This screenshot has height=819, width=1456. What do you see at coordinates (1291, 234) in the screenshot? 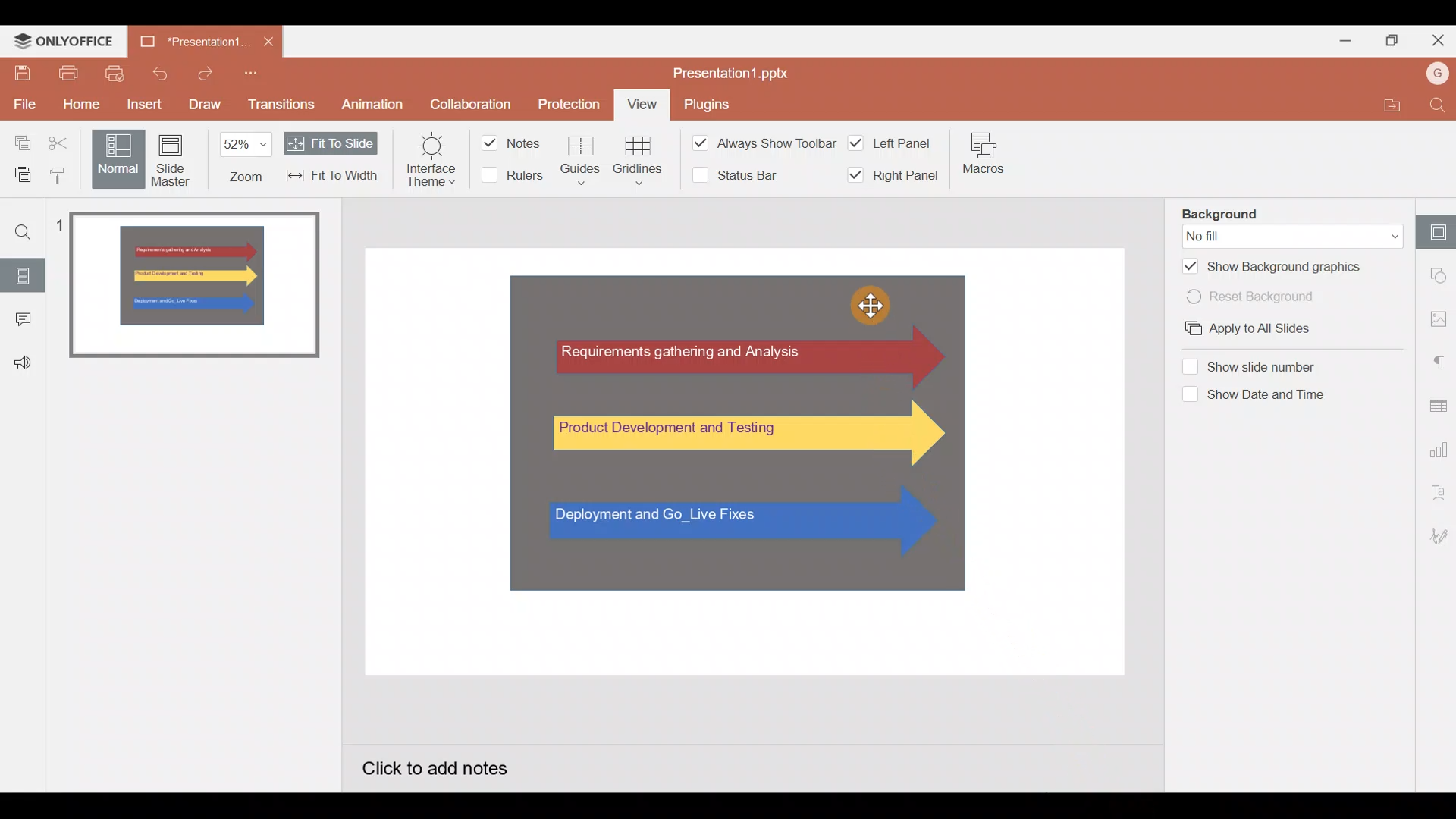
I see `No fill` at bounding box center [1291, 234].